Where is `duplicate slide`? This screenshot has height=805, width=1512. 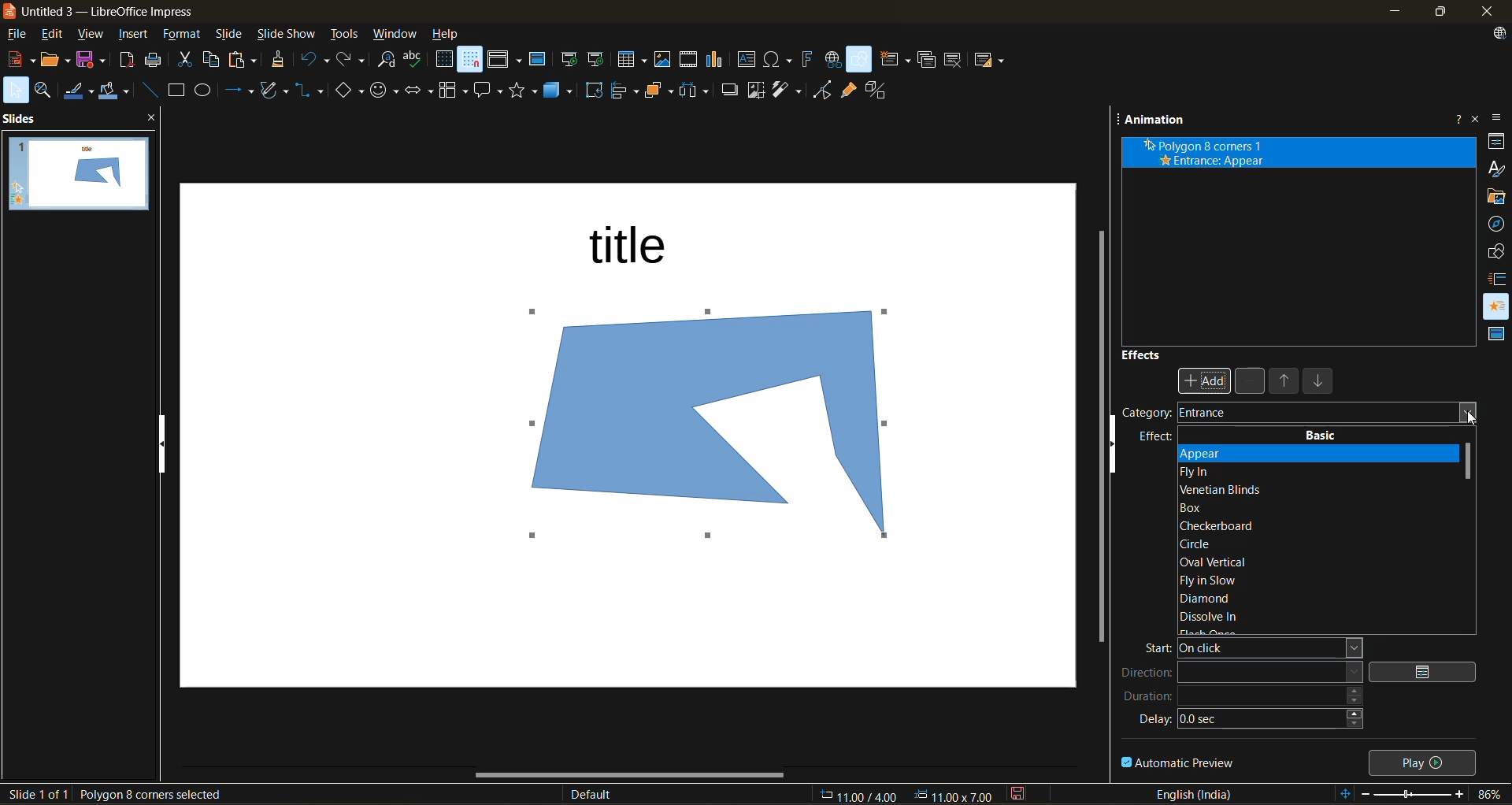 duplicate slide is located at coordinates (927, 60).